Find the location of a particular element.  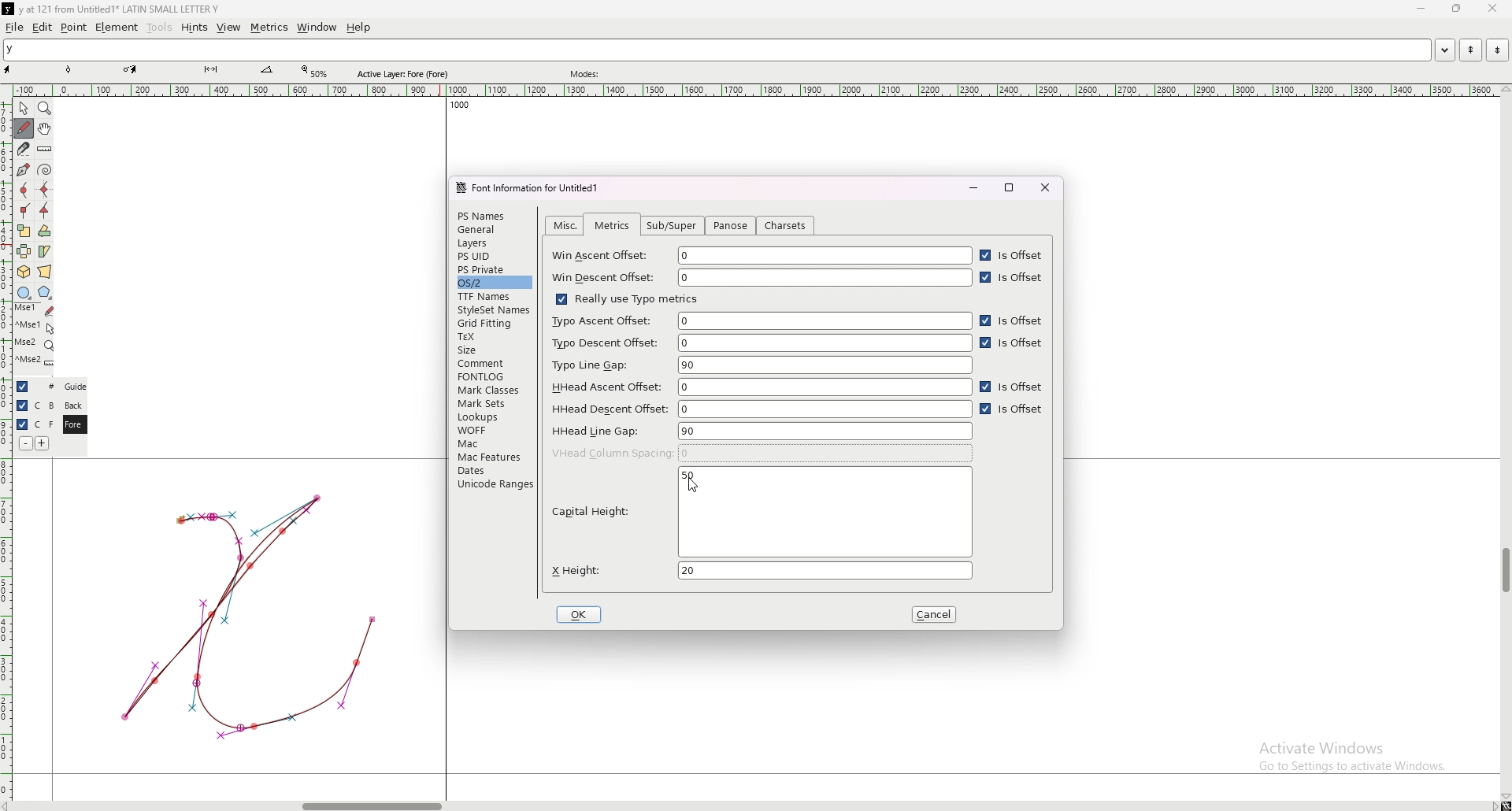

panose is located at coordinates (729, 227).